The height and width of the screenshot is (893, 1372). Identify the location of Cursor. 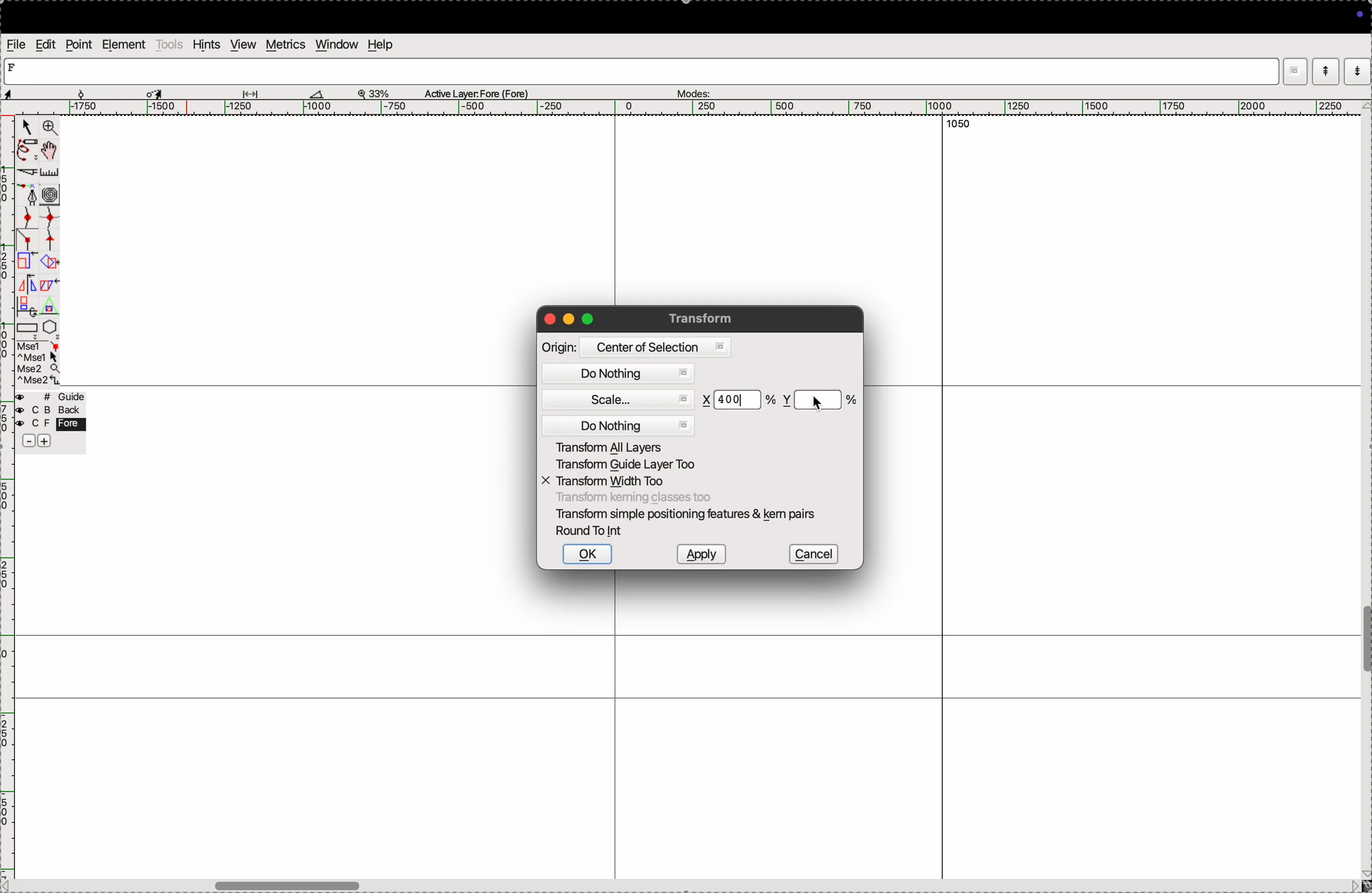
(817, 402).